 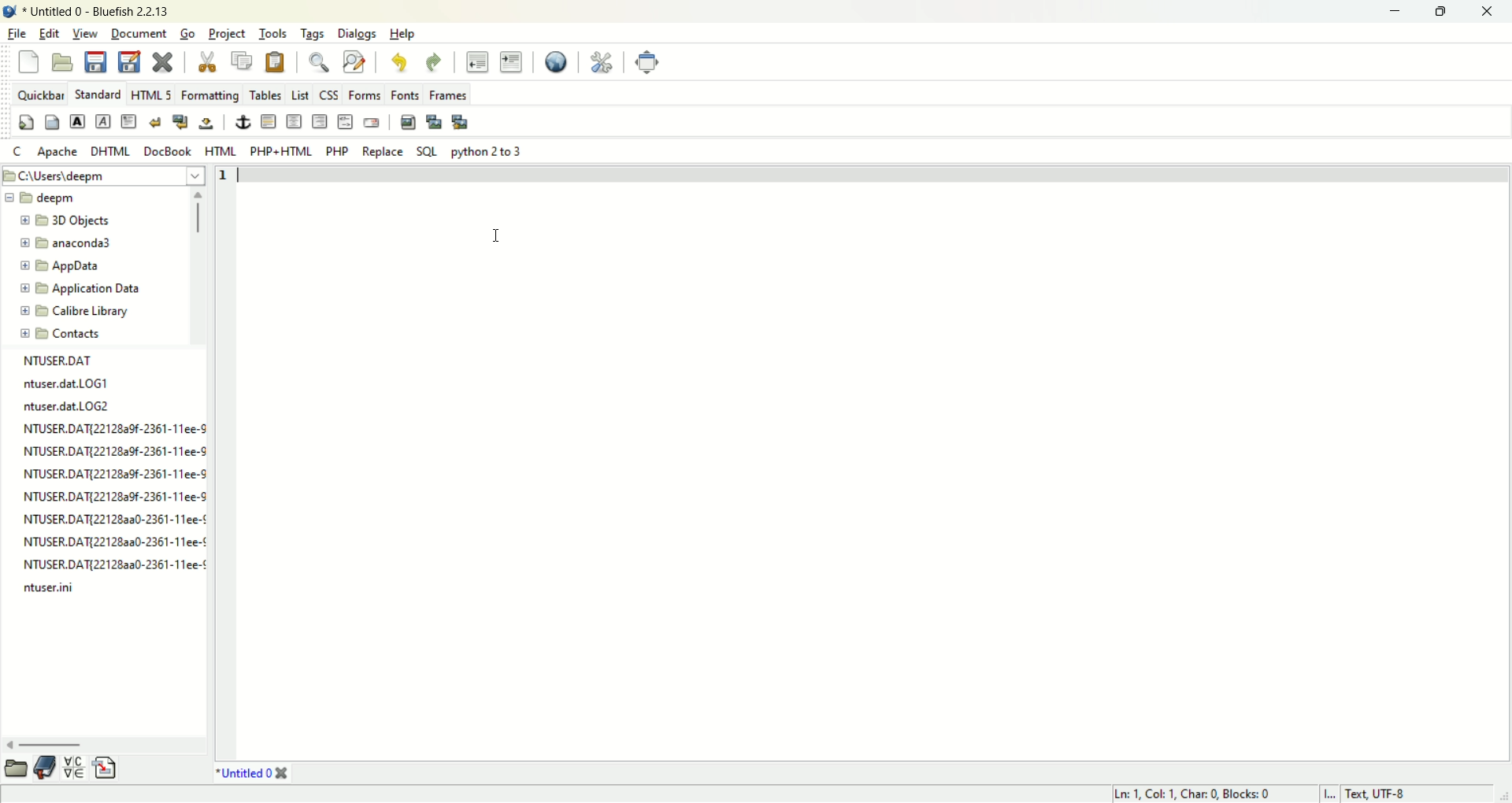 What do you see at coordinates (267, 94) in the screenshot?
I see `tables` at bounding box center [267, 94].